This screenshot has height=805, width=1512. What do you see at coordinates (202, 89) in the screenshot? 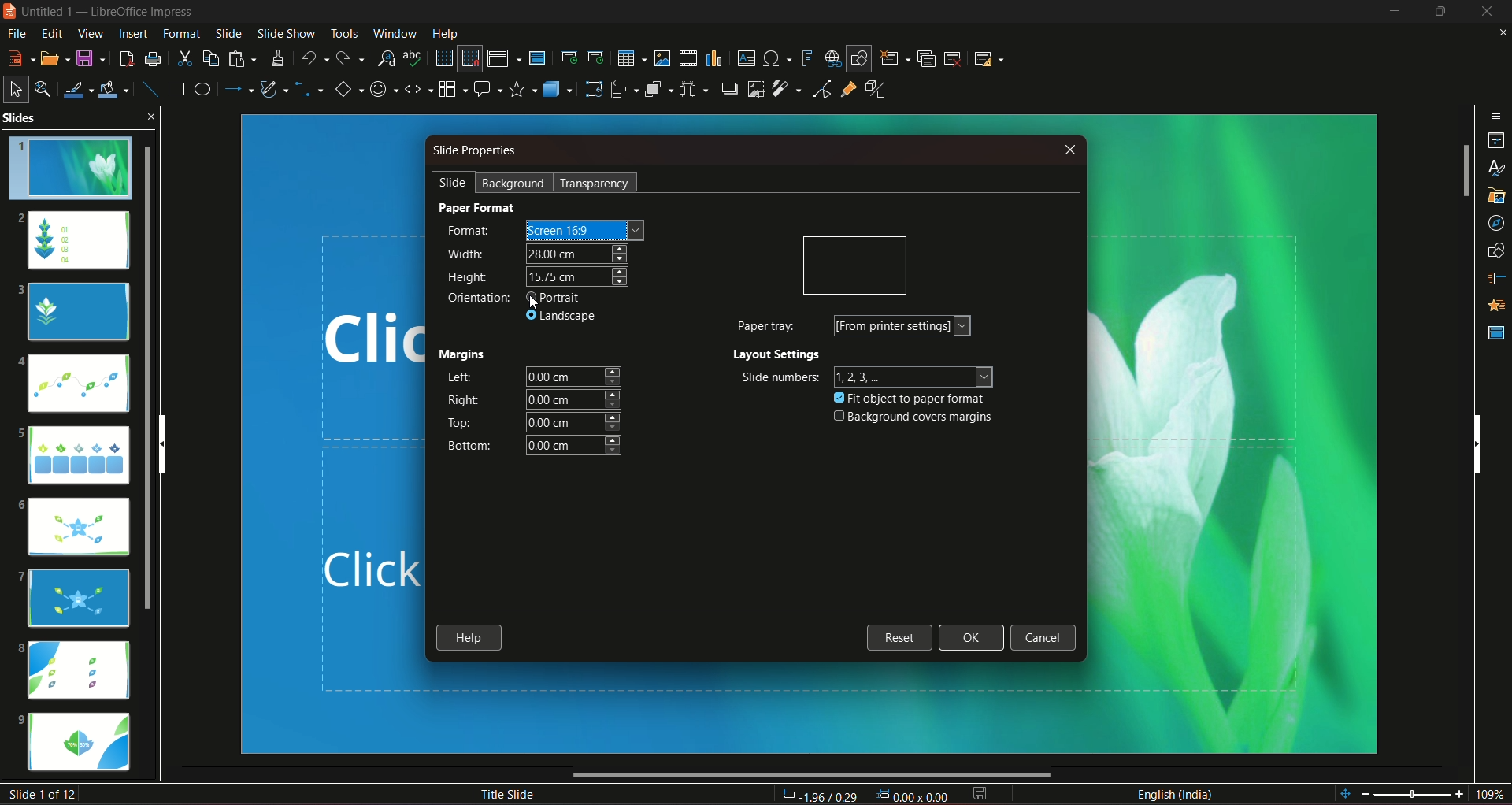
I see `ellipse` at bounding box center [202, 89].